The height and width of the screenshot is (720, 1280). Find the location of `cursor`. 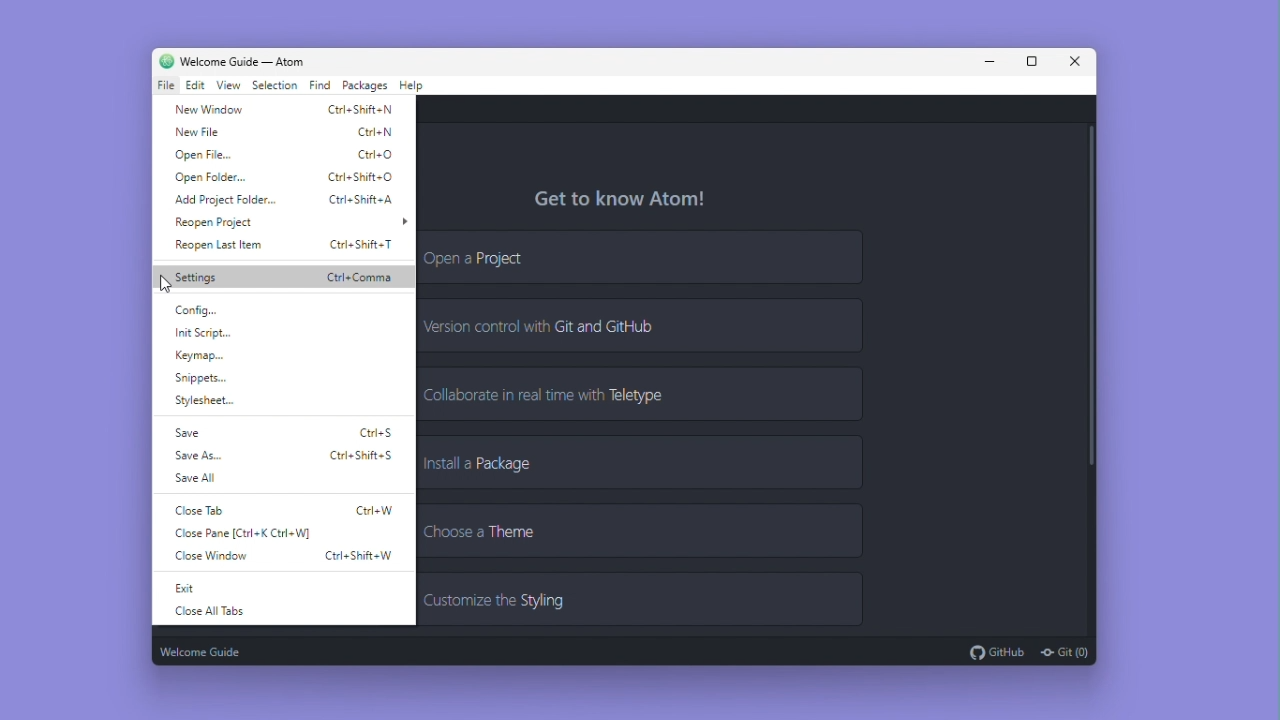

cursor is located at coordinates (163, 281).